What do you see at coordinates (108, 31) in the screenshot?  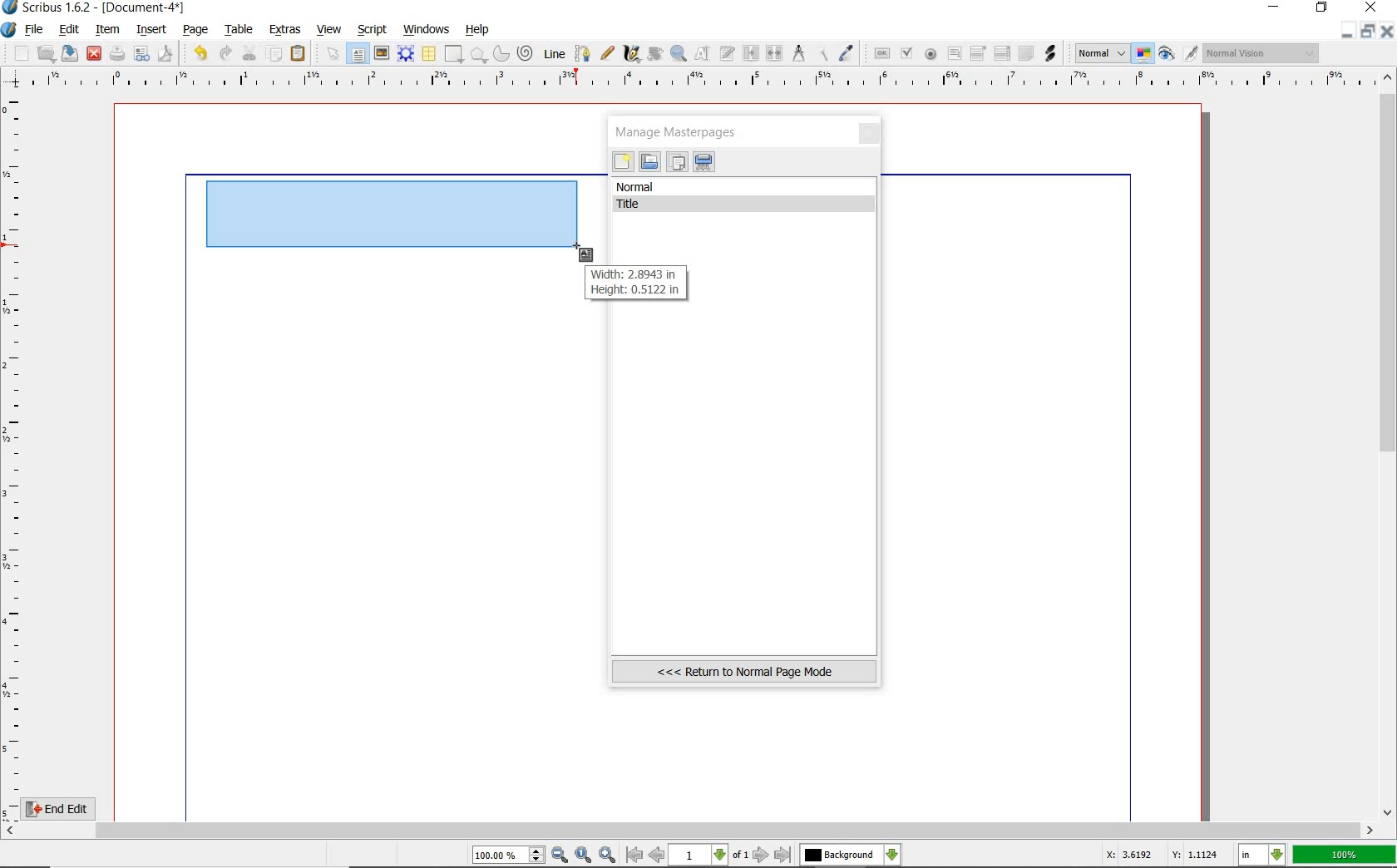 I see `item` at bounding box center [108, 31].